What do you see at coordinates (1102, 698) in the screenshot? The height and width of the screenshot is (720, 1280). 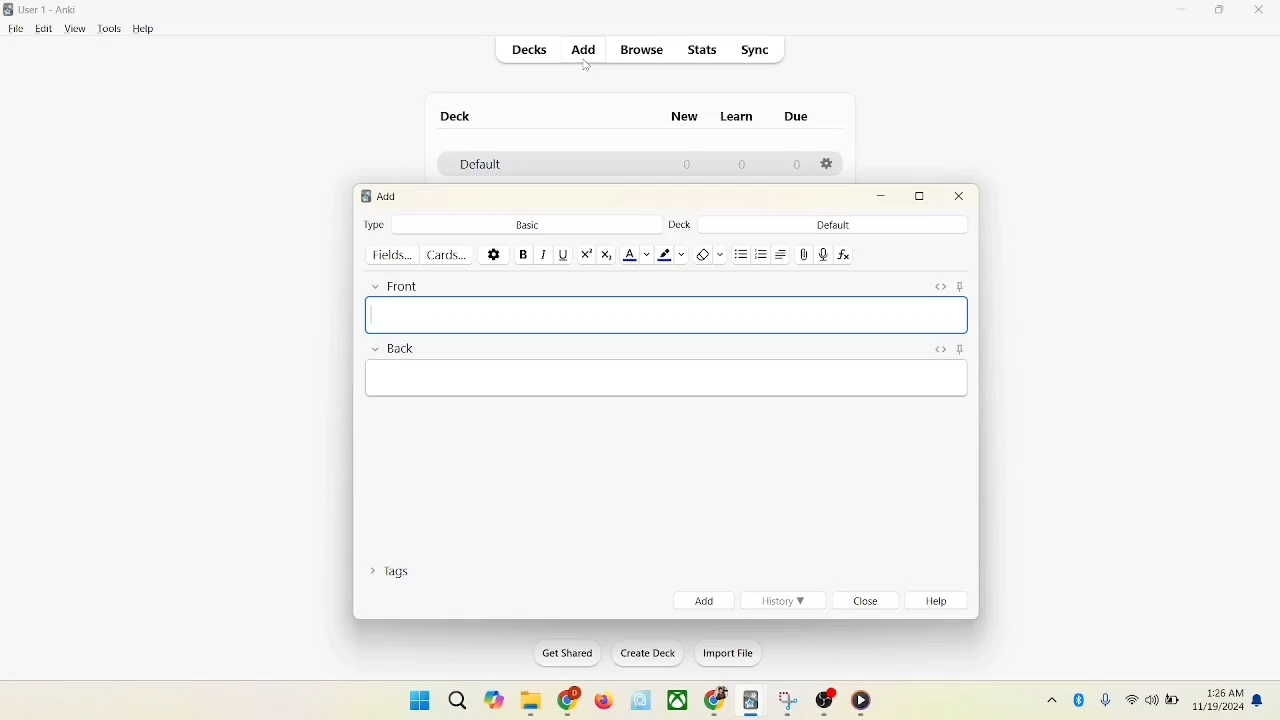 I see `microphone` at bounding box center [1102, 698].